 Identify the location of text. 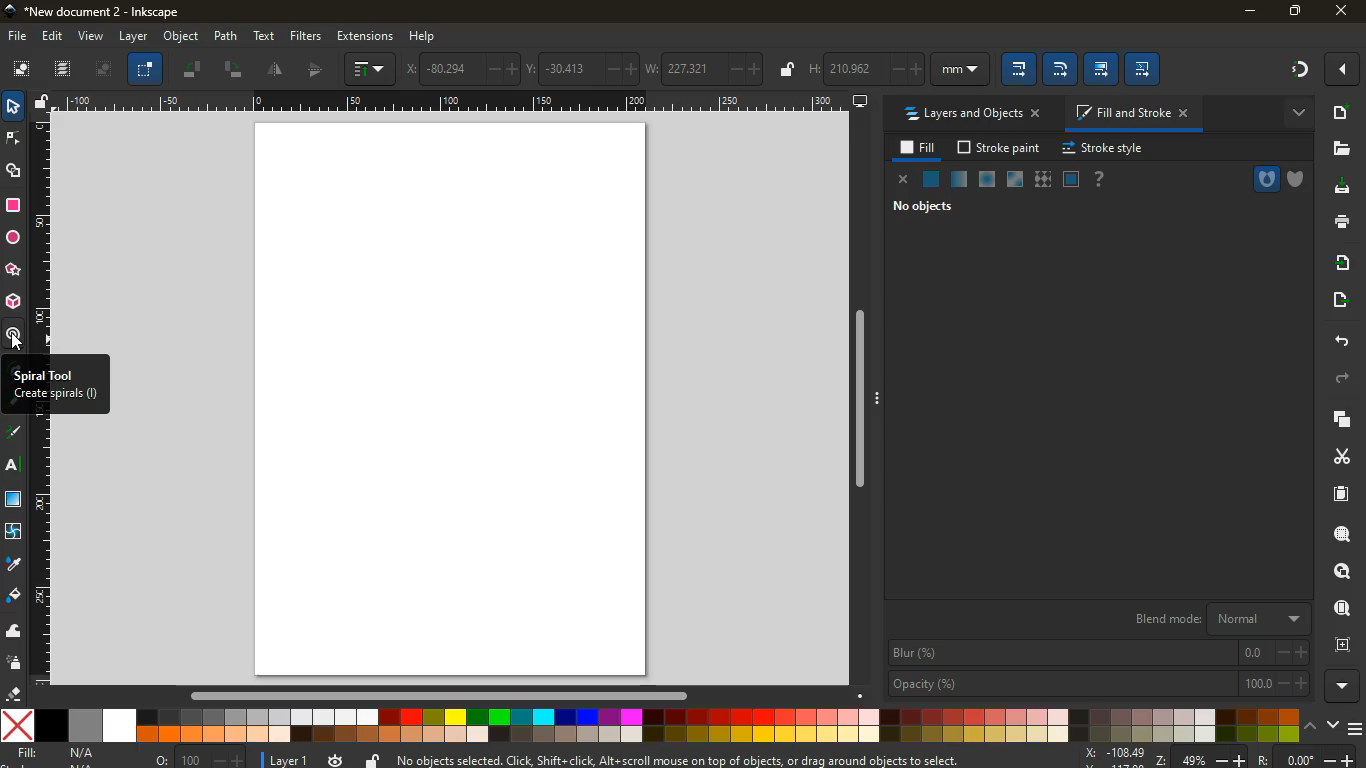
(15, 467).